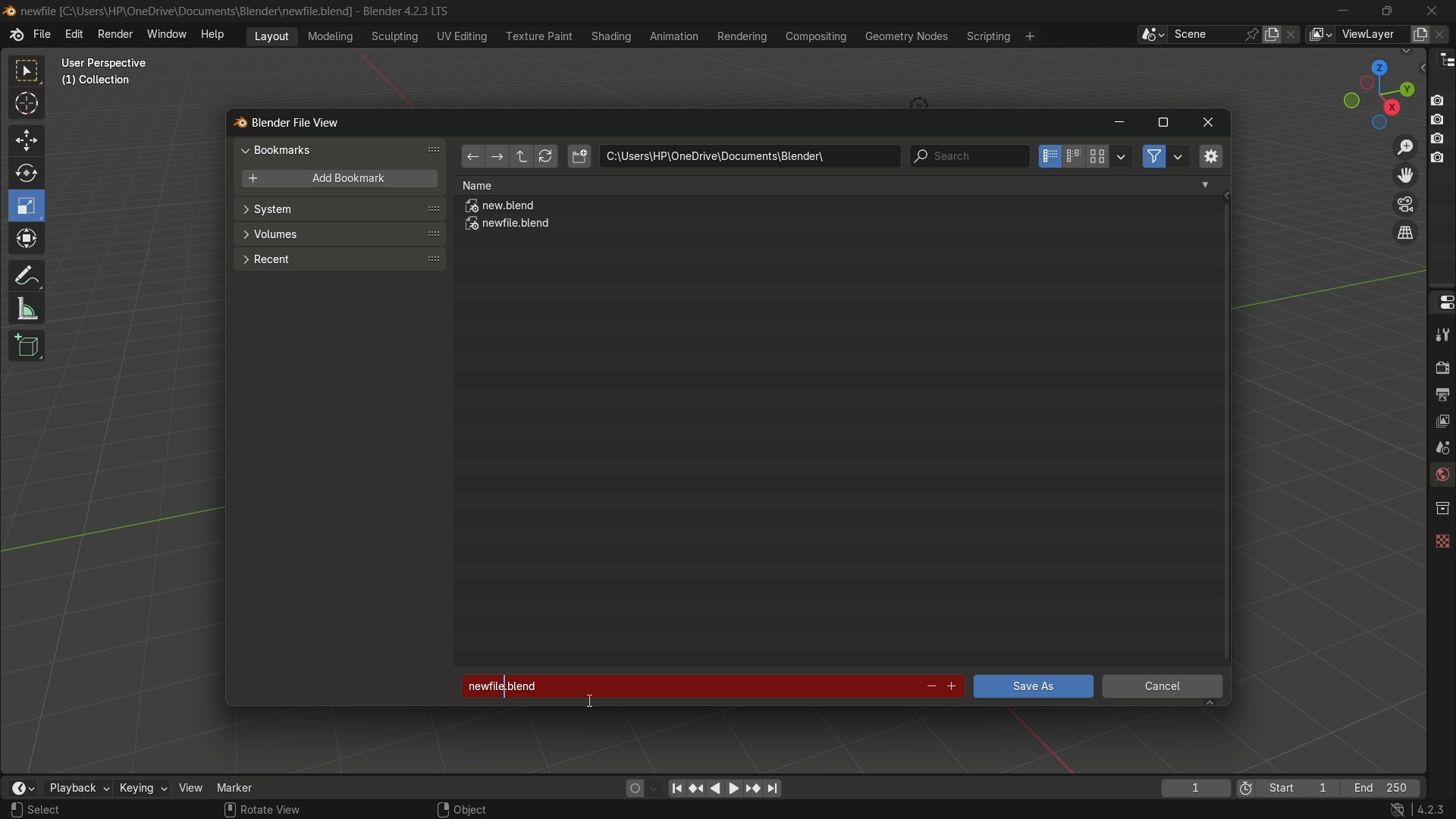 The height and width of the screenshot is (819, 1456). Describe the element at coordinates (1288, 788) in the screenshot. I see `first frame of the playback` at that location.